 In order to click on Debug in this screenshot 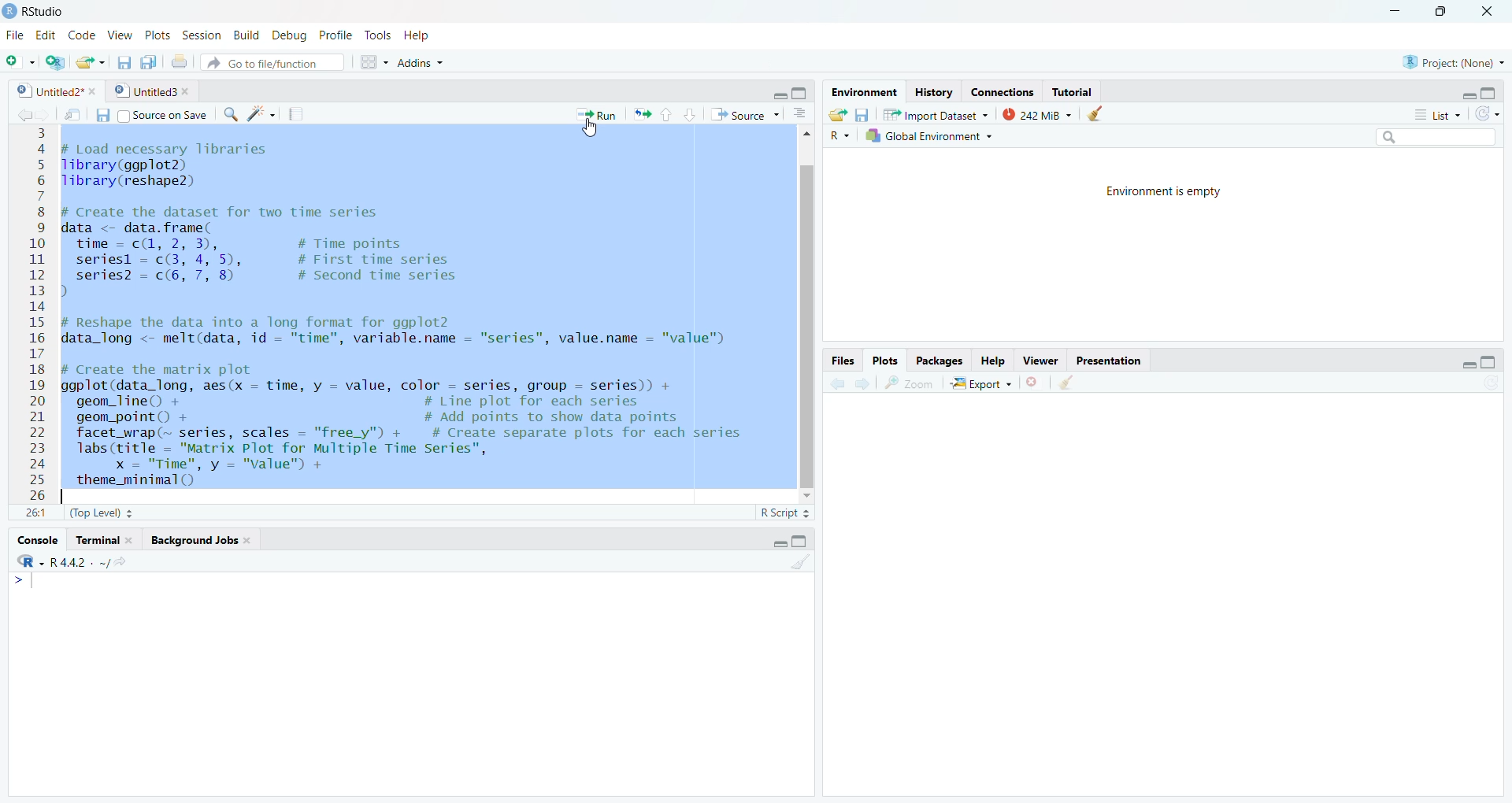, I will do `click(291, 35)`.